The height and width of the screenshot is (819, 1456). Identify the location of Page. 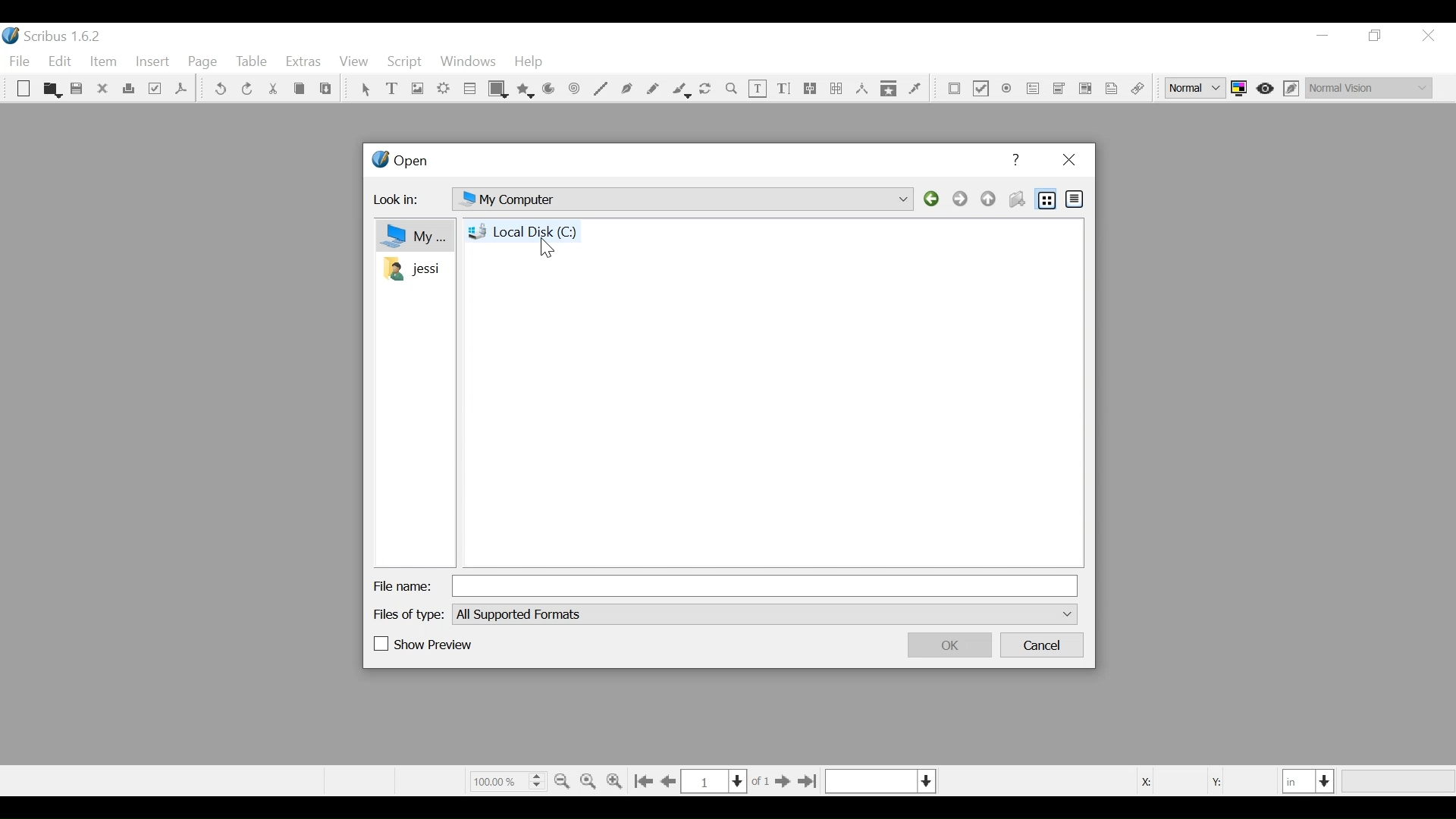
(203, 63).